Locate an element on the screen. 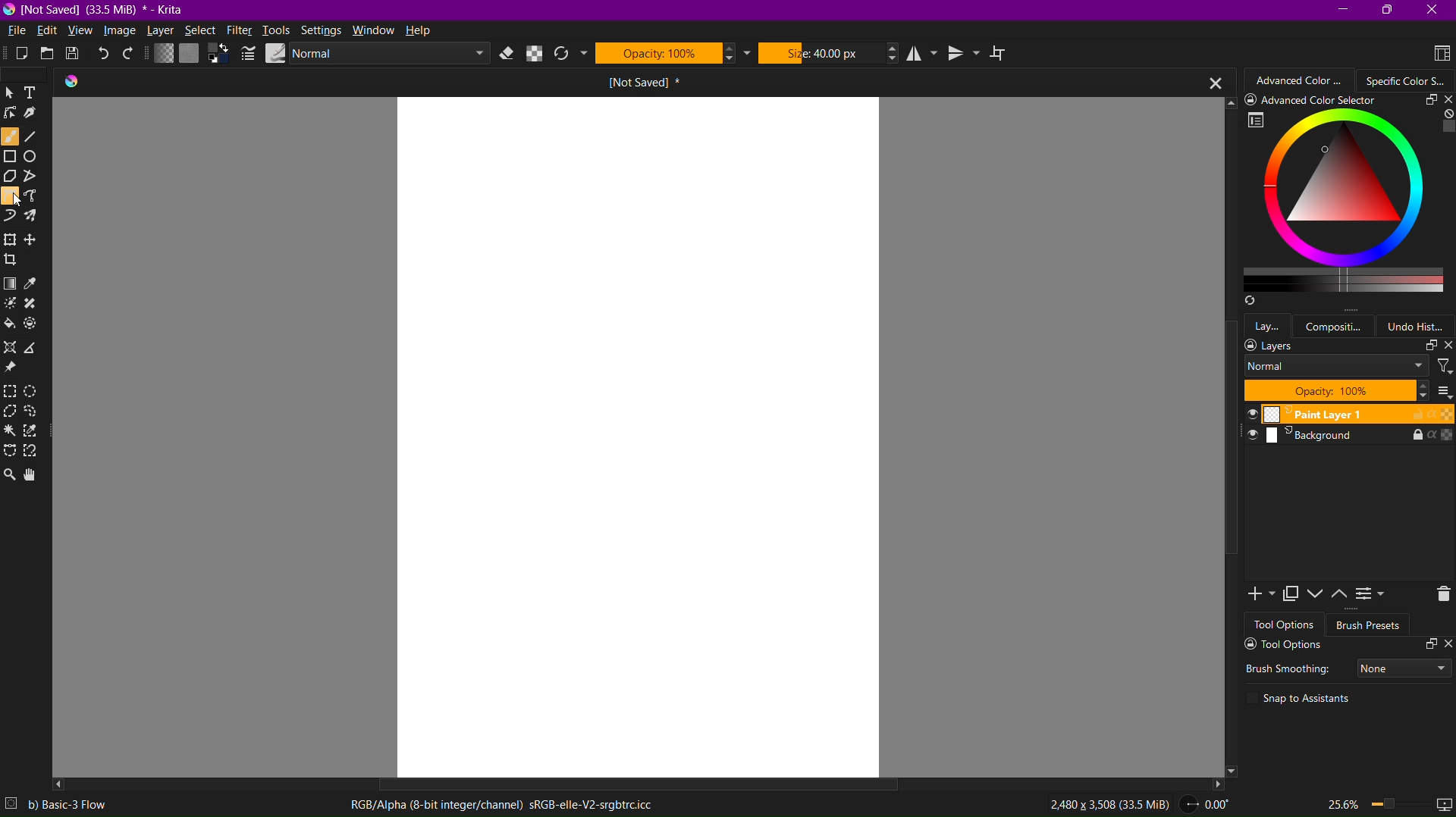 Image resolution: width=1456 pixels, height=817 pixels. Fill area with color is located at coordinates (11, 324).